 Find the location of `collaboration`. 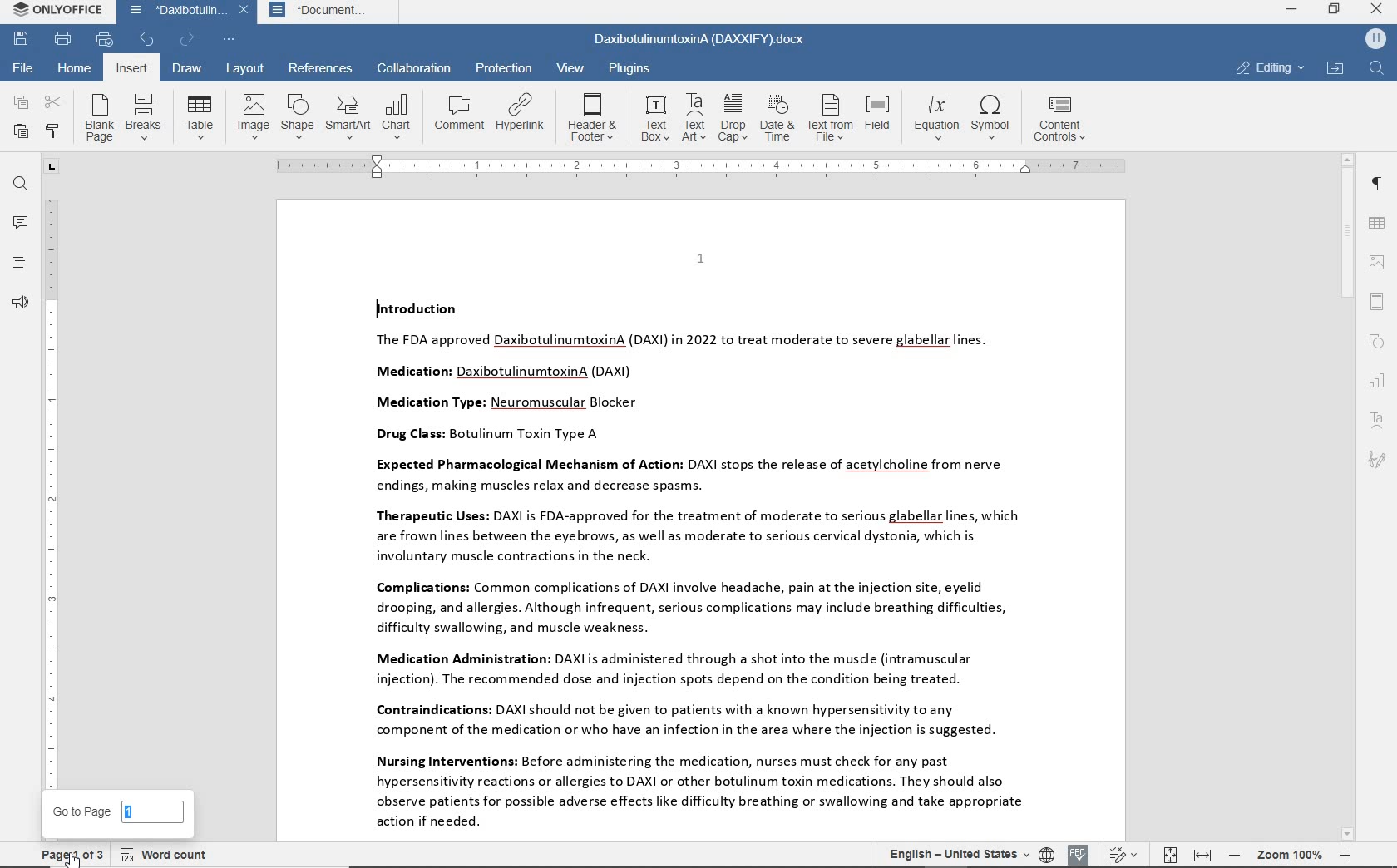

collaboration is located at coordinates (415, 68).